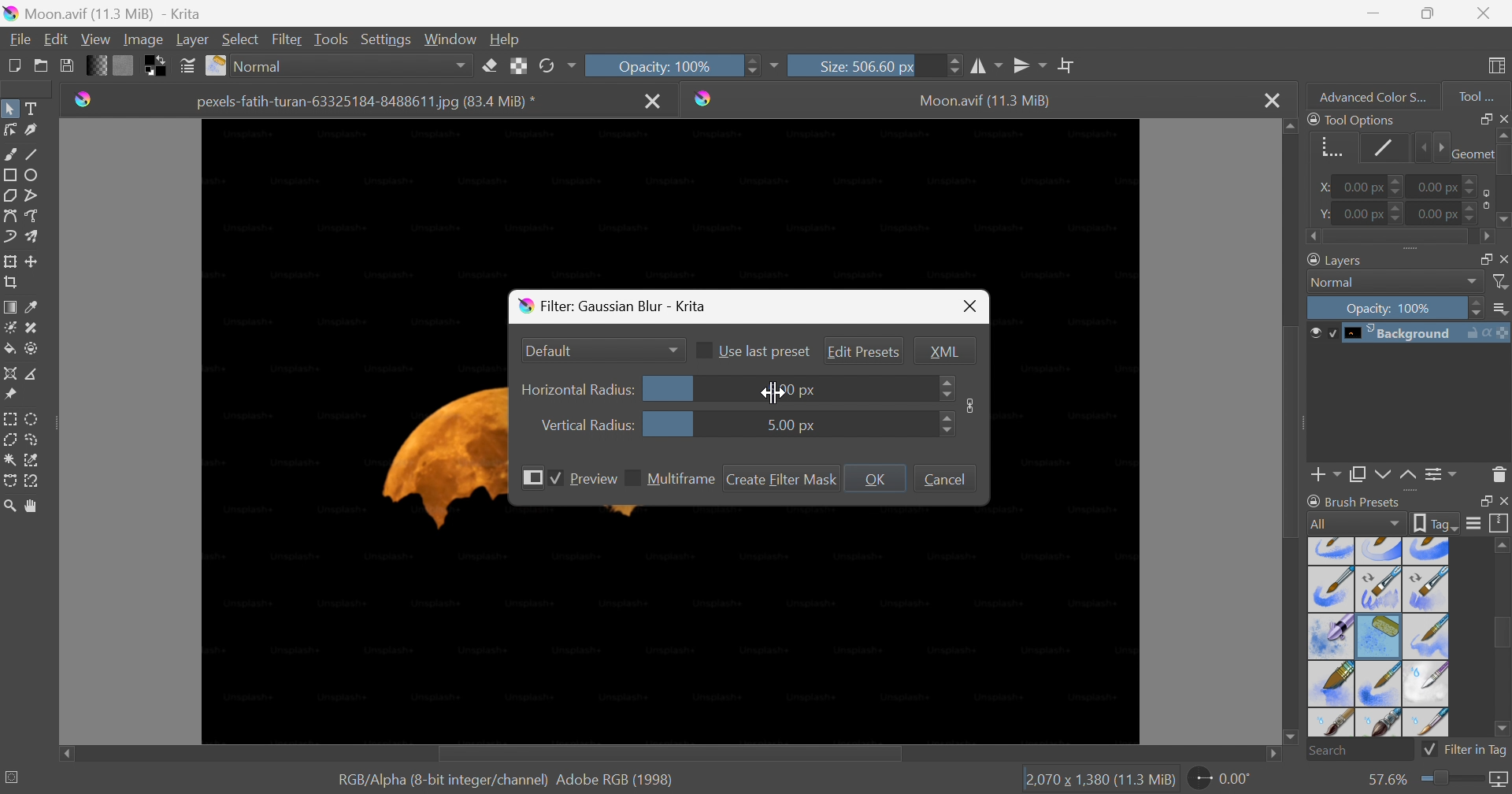 This screenshot has width=1512, height=794. I want to click on Scroll up, so click(1503, 544).